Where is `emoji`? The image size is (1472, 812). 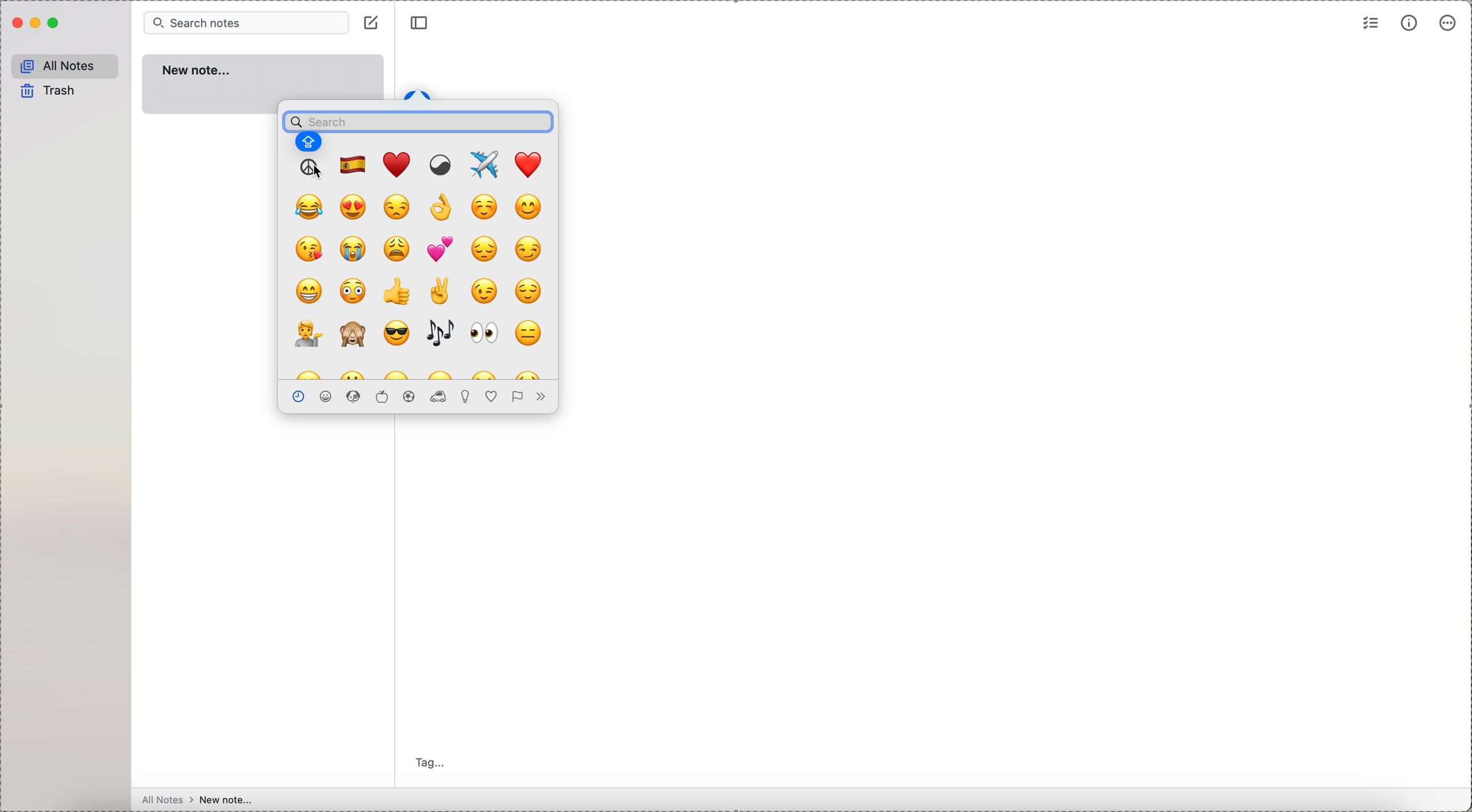
emoji is located at coordinates (485, 251).